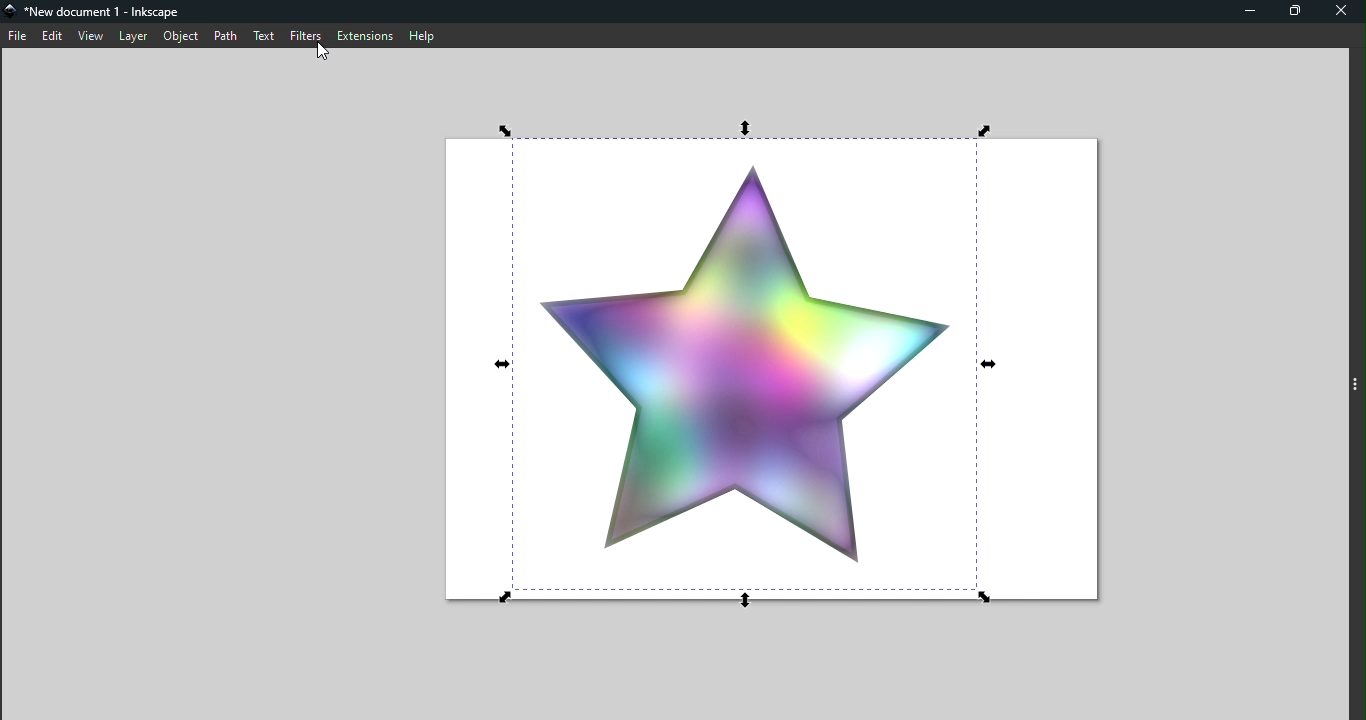 The image size is (1366, 720). What do you see at coordinates (263, 36) in the screenshot?
I see `Text` at bounding box center [263, 36].